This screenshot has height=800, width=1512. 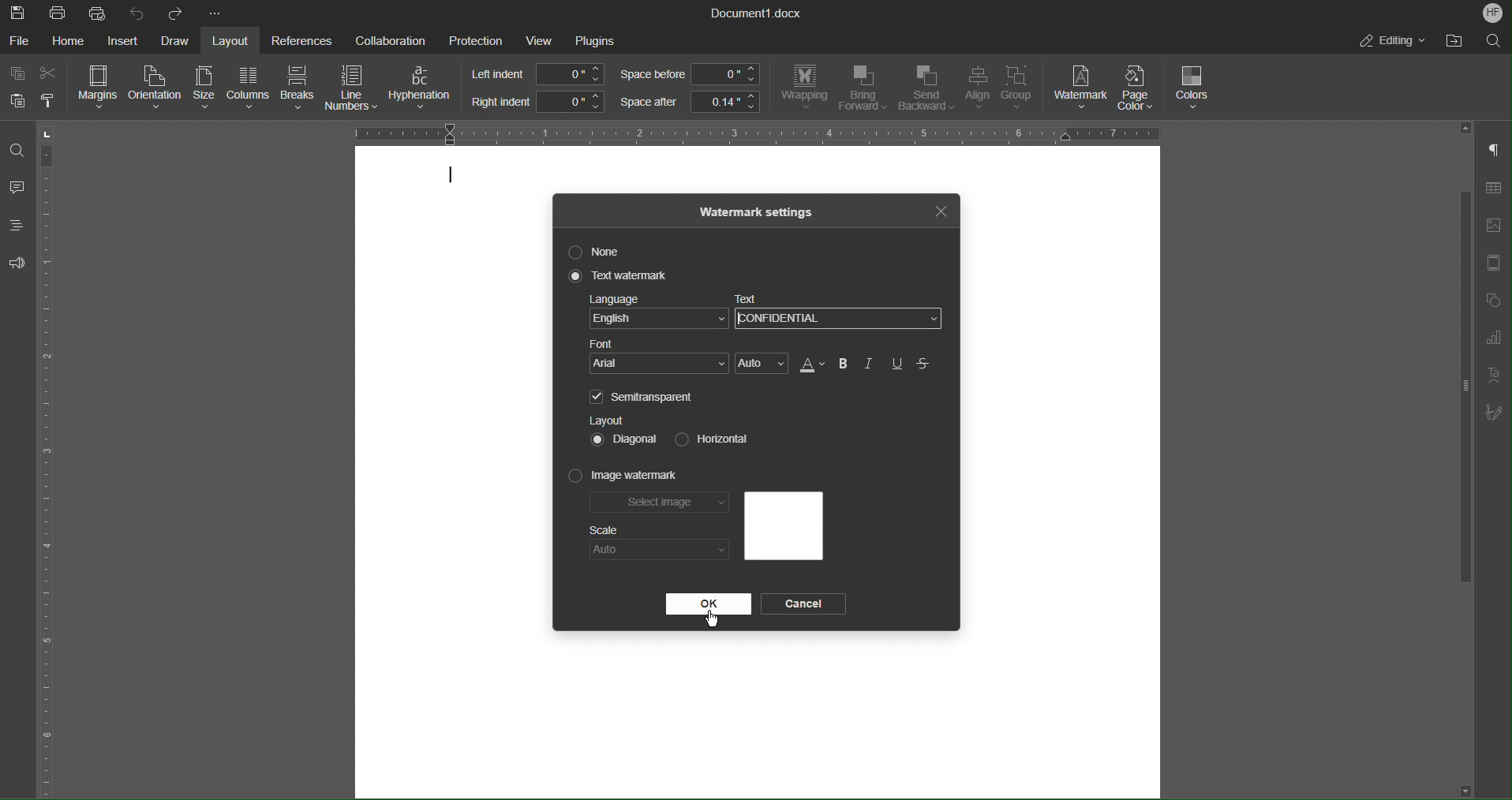 I want to click on Account, so click(x=1493, y=13).